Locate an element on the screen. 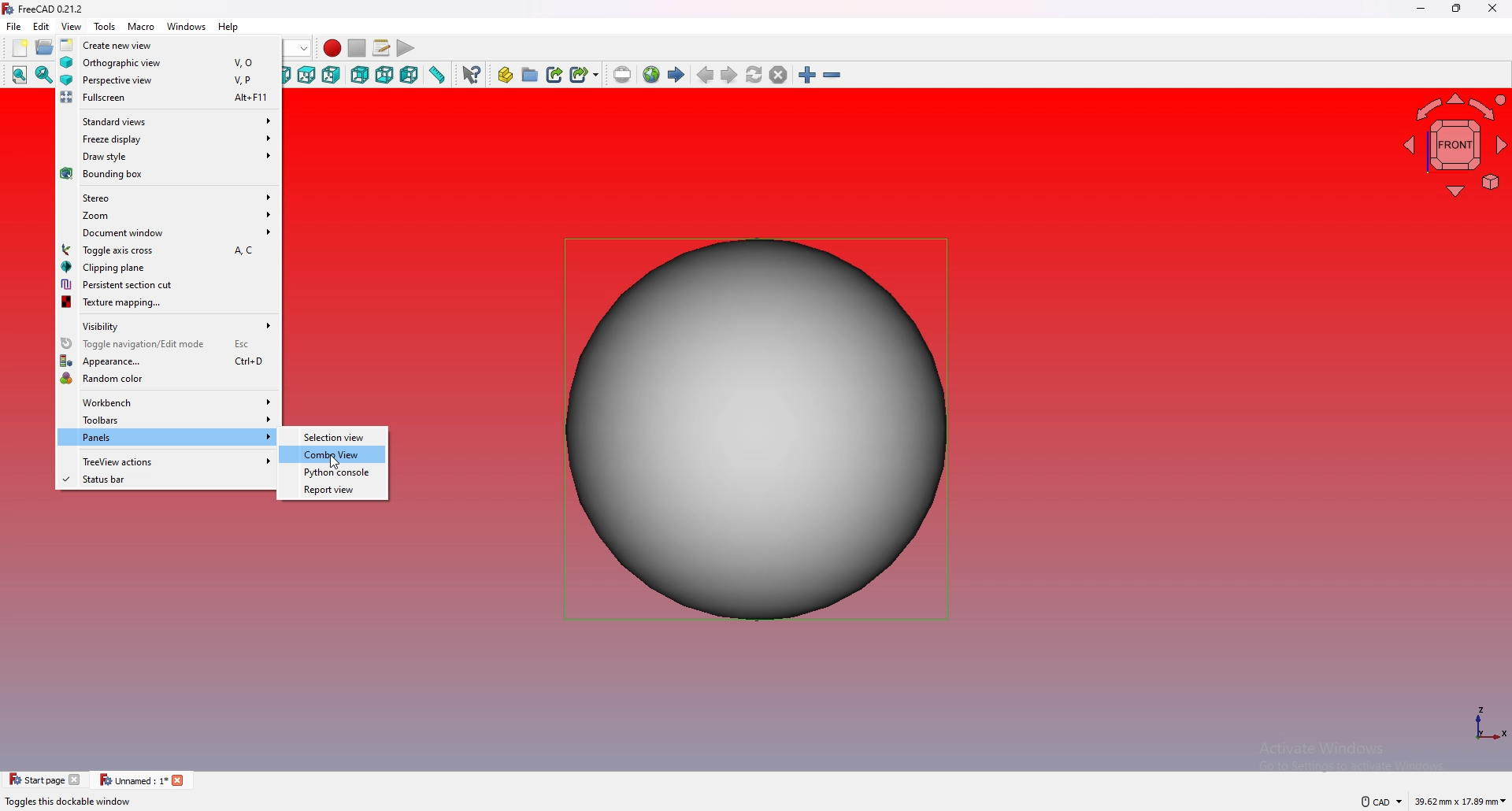 This screenshot has width=1512, height=811. random color is located at coordinates (168, 378).